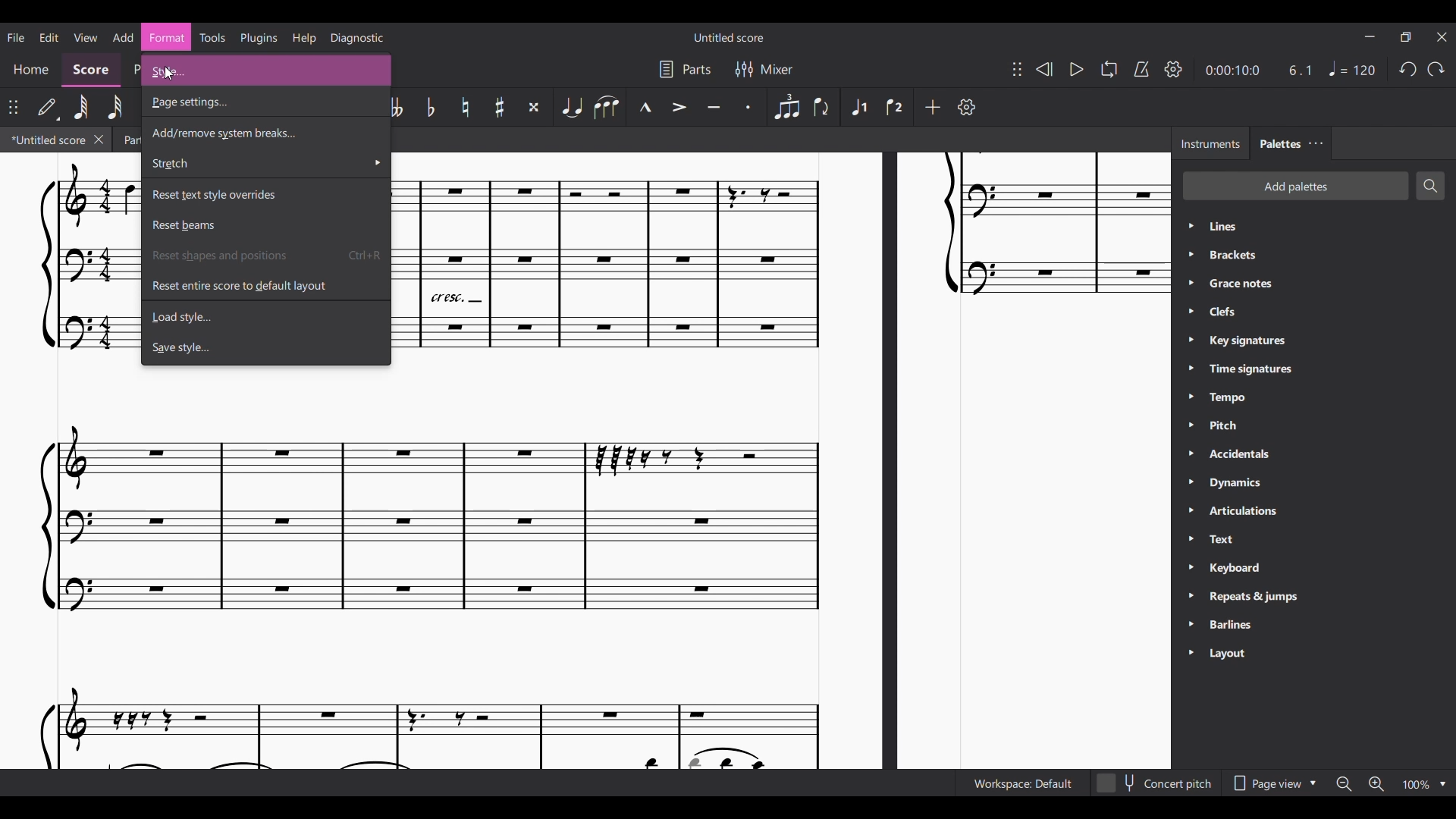  I want to click on 32nd note, so click(116, 107).